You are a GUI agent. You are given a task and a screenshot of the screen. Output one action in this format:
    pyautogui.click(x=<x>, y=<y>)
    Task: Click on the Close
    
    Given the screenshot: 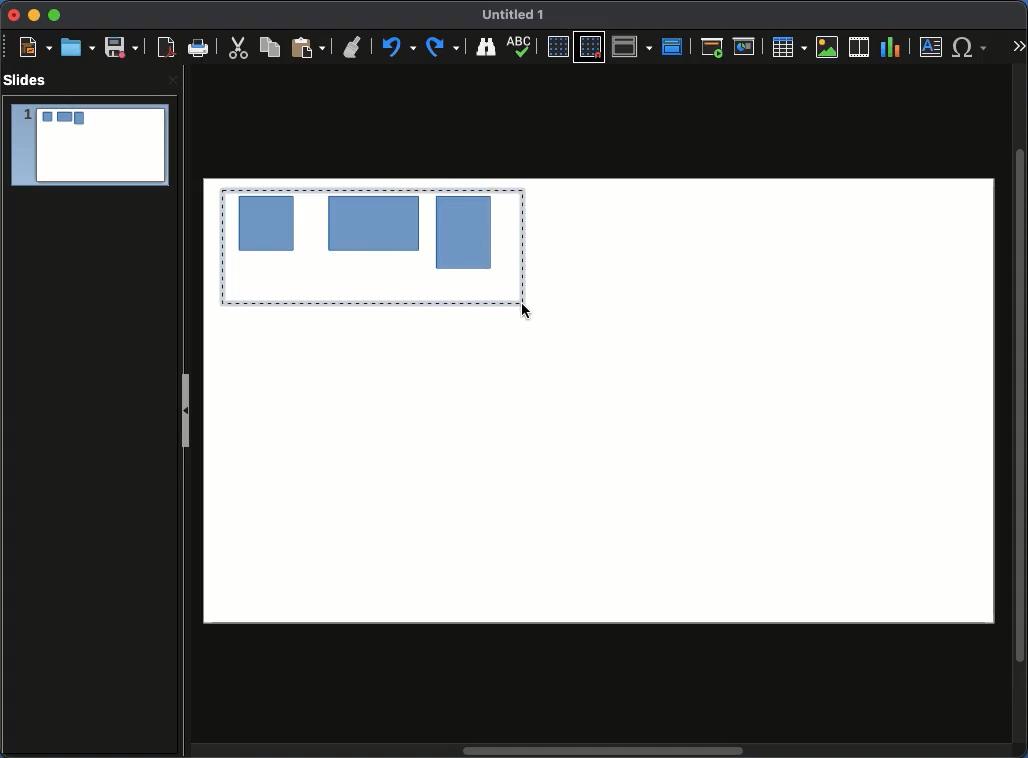 What is the action you would take?
    pyautogui.click(x=14, y=16)
    